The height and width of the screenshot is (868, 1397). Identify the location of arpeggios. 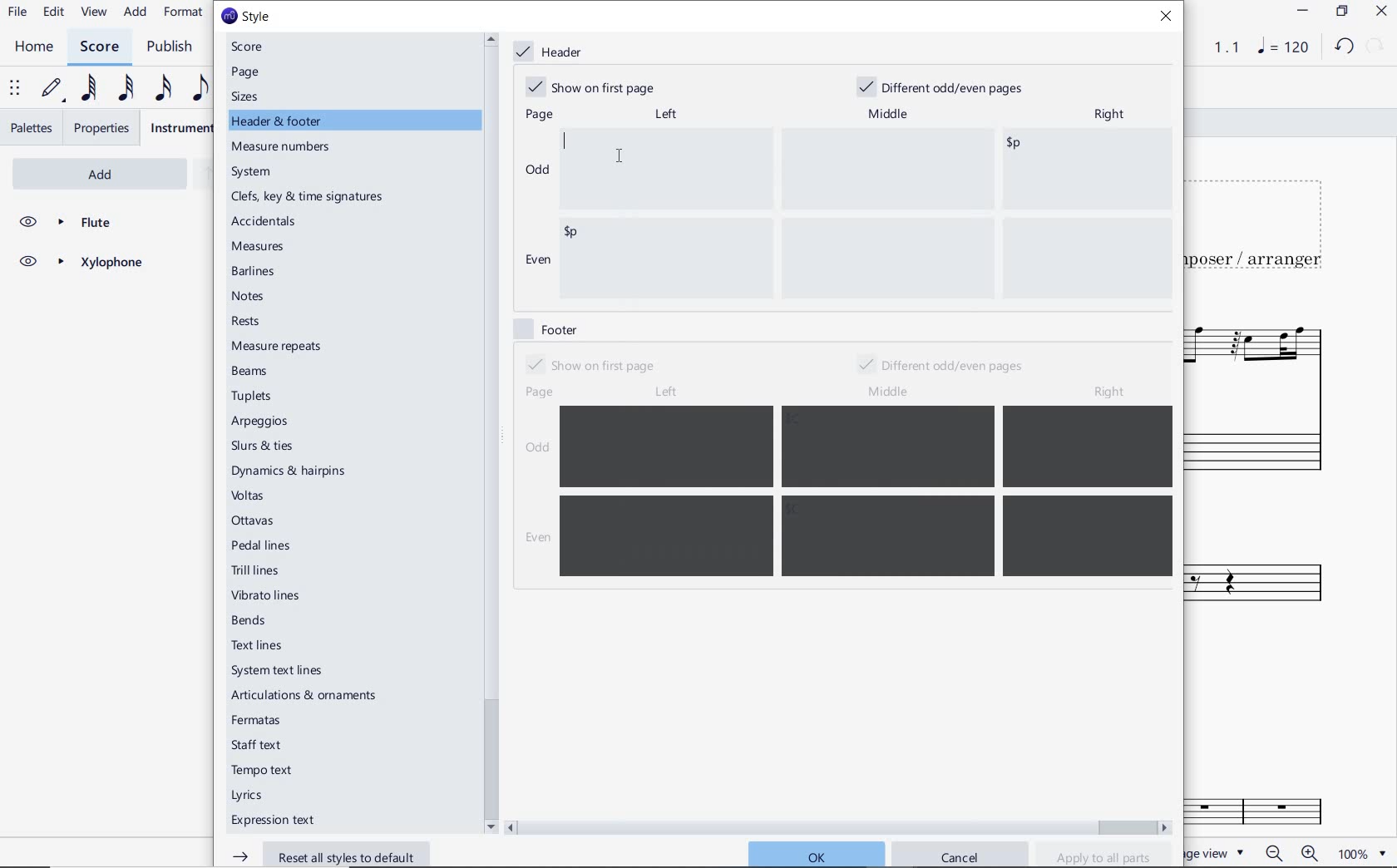
(260, 422).